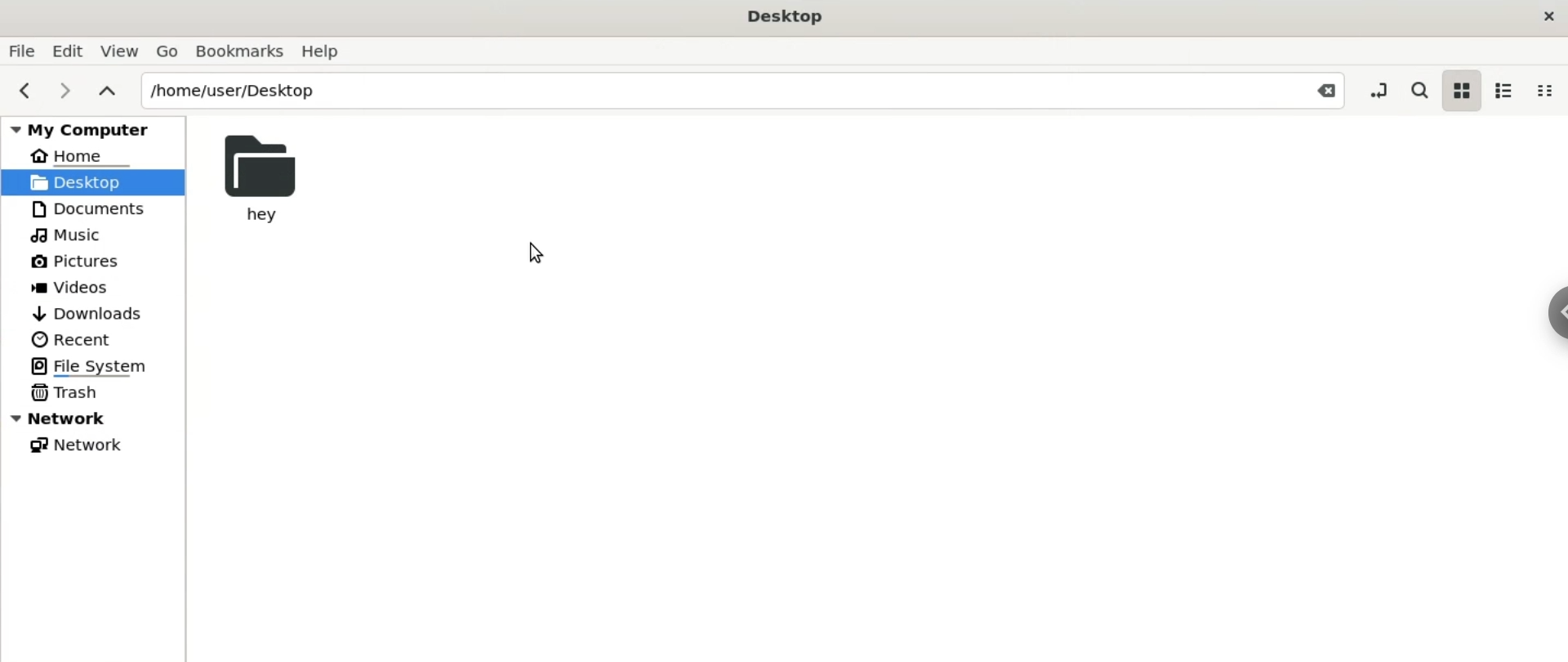 Image resolution: width=1568 pixels, height=662 pixels. I want to click on network, so click(96, 419).